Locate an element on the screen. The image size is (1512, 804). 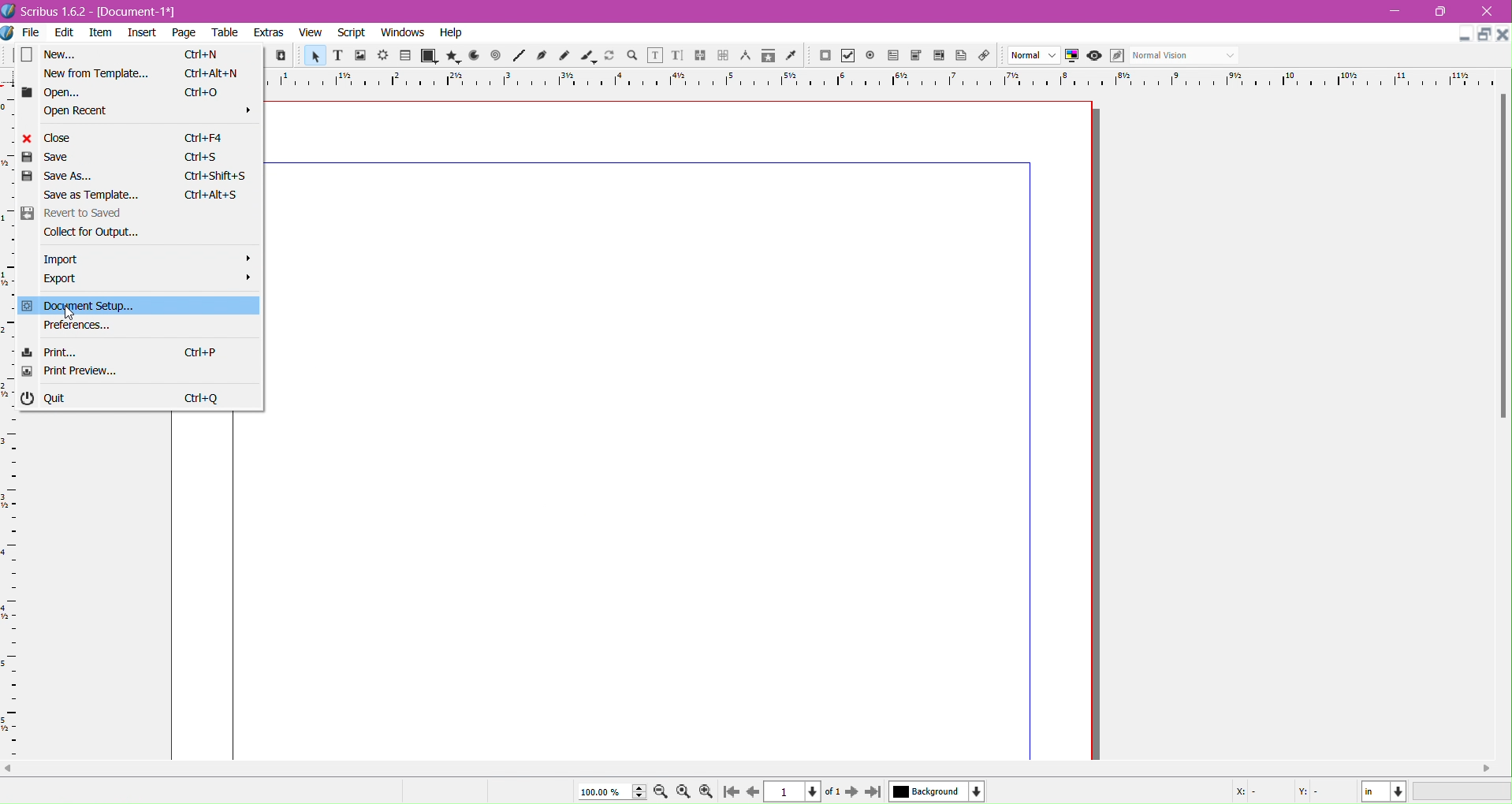
keyboard shortcut is located at coordinates (207, 137).